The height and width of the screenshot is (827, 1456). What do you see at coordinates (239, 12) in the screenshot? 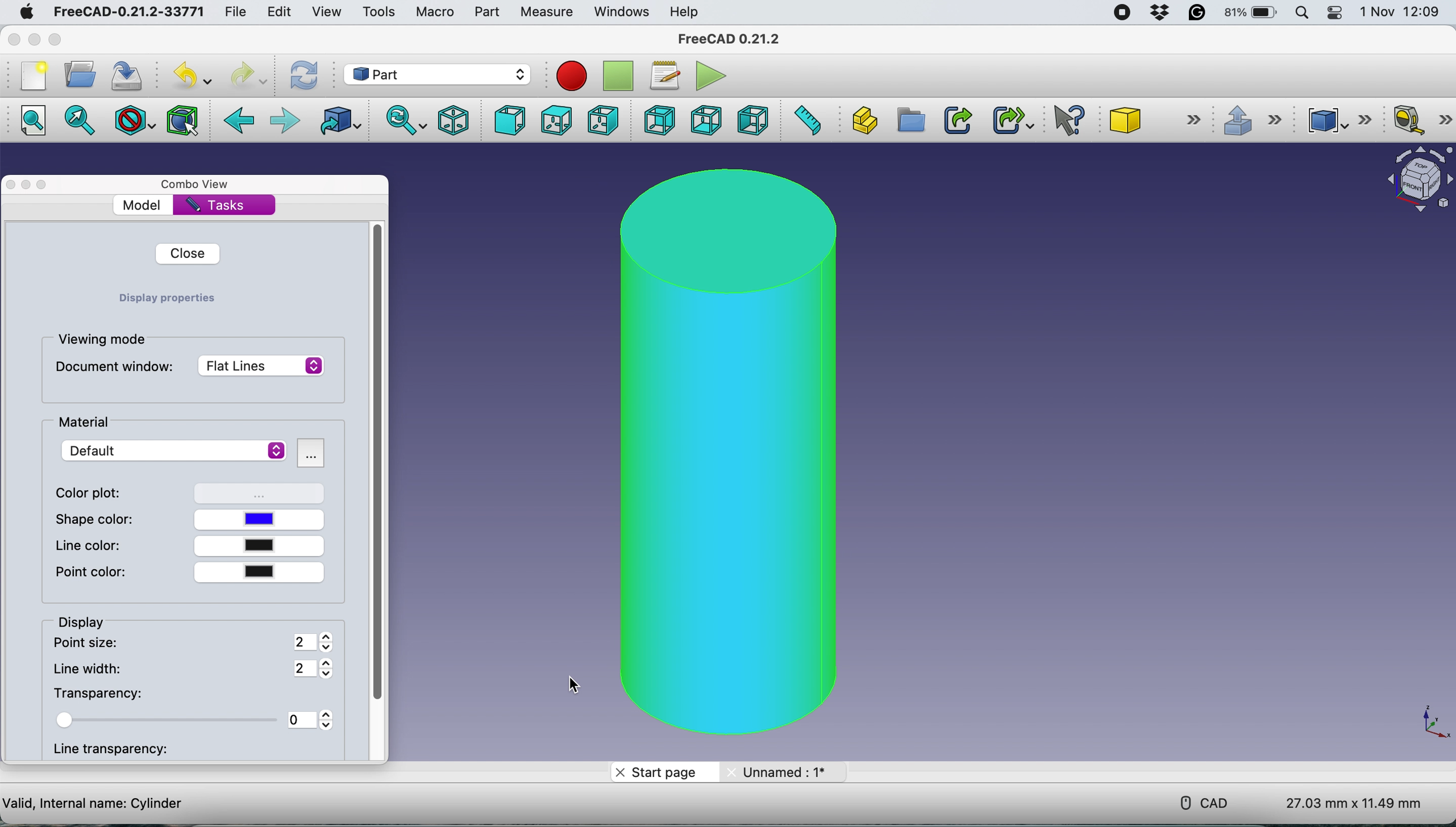
I see `file` at bounding box center [239, 12].